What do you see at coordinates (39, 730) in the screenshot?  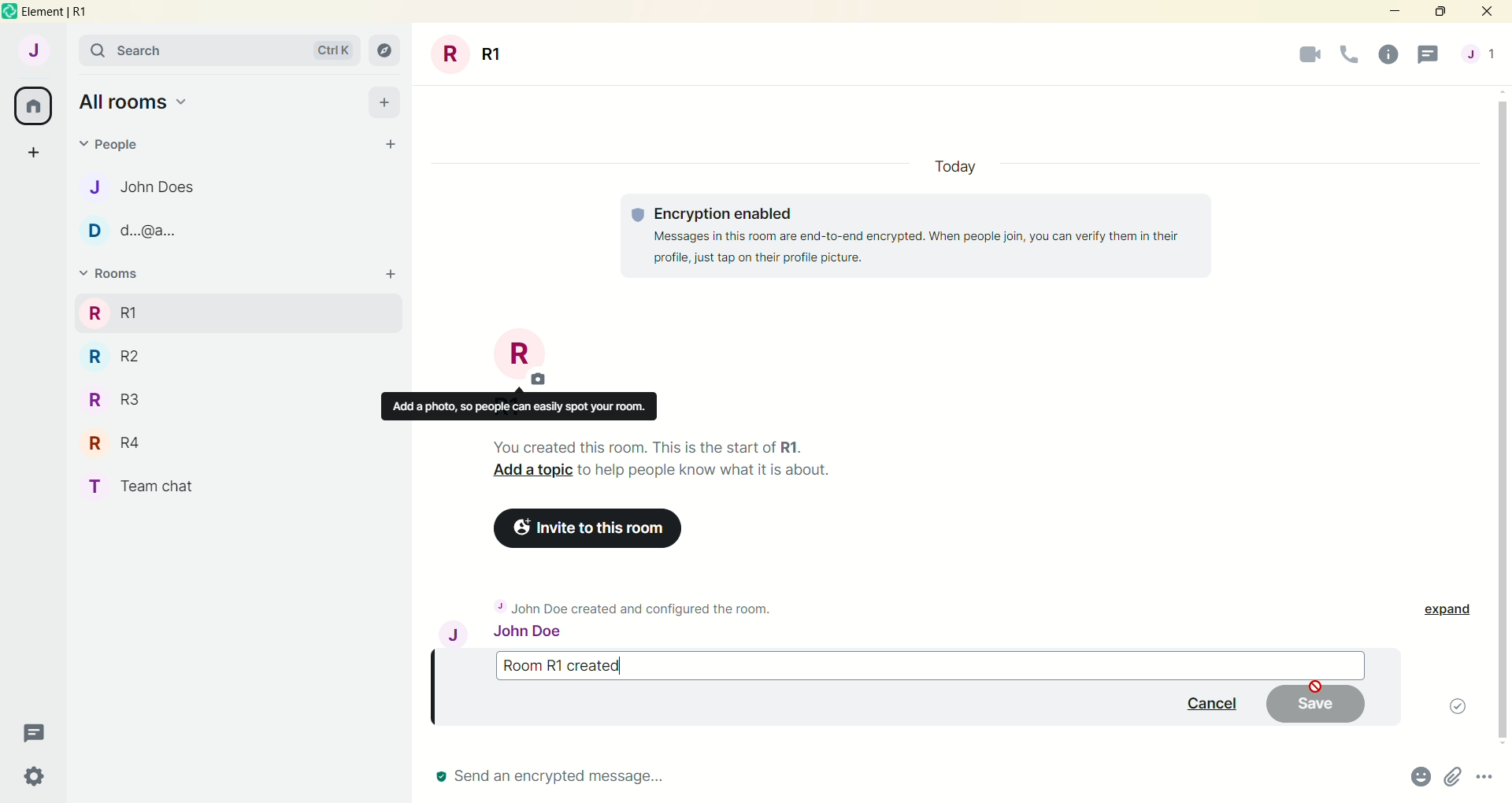 I see `threads` at bounding box center [39, 730].